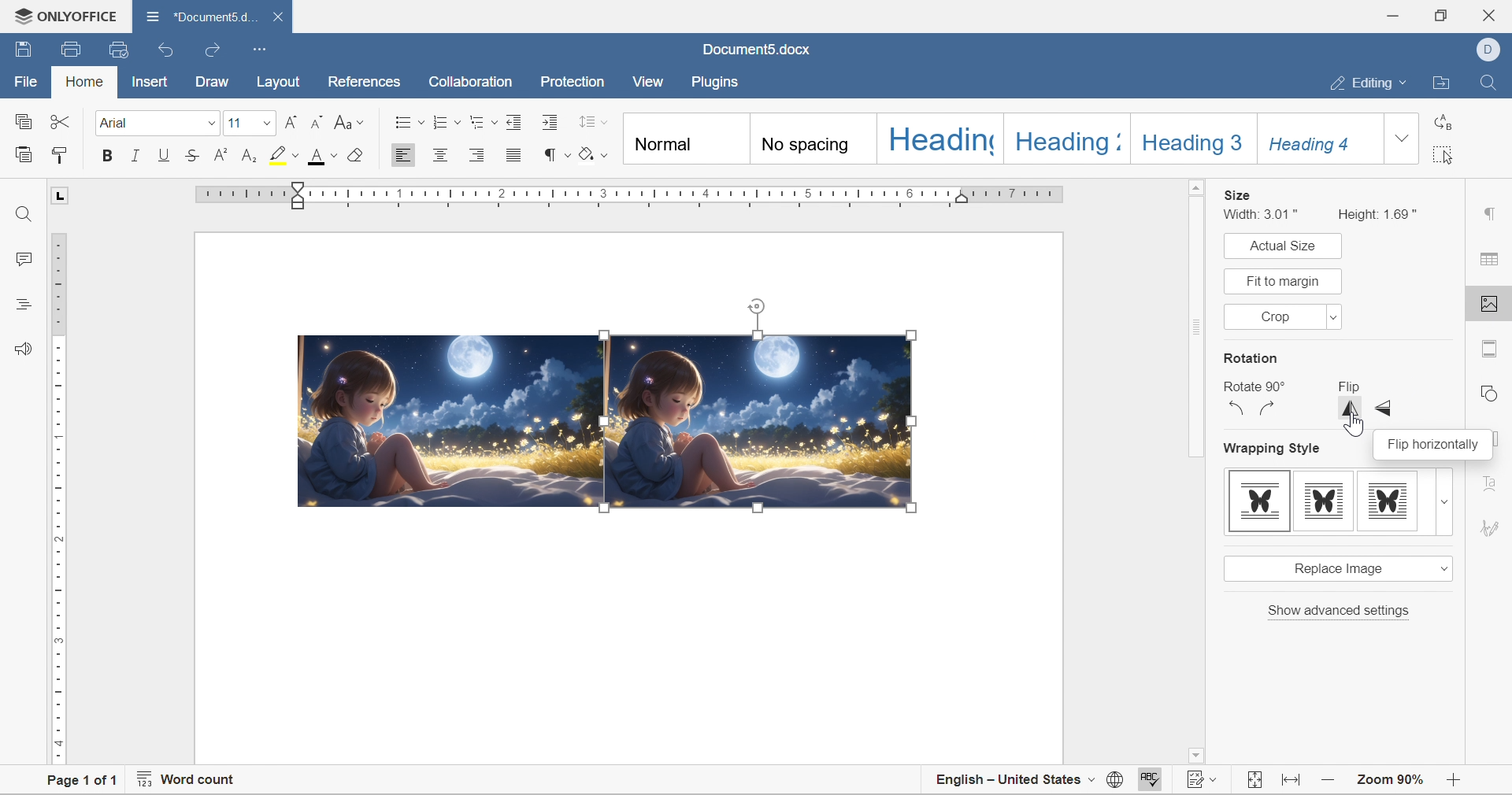 Image resolution: width=1512 pixels, height=795 pixels. What do you see at coordinates (21, 49) in the screenshot?
I see `save` at bounding box center [21, 49].